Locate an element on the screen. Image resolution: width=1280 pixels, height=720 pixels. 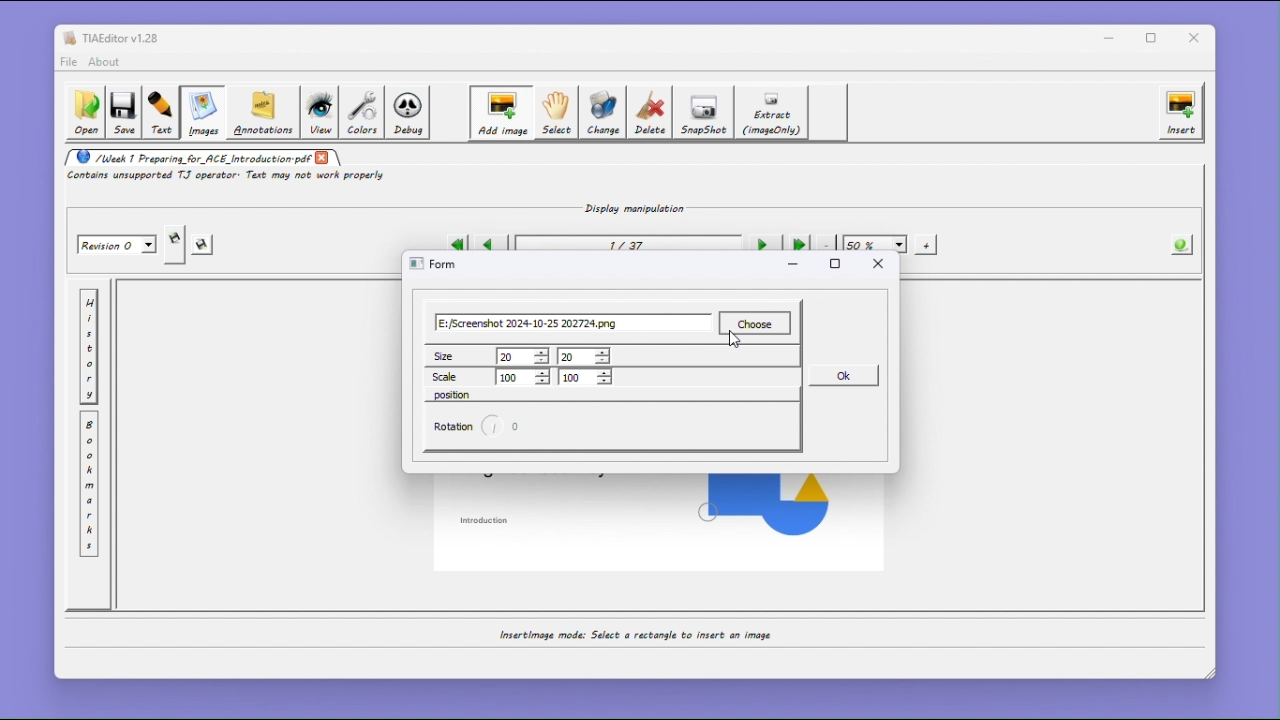
cursor is located at coordinates (731, 344).